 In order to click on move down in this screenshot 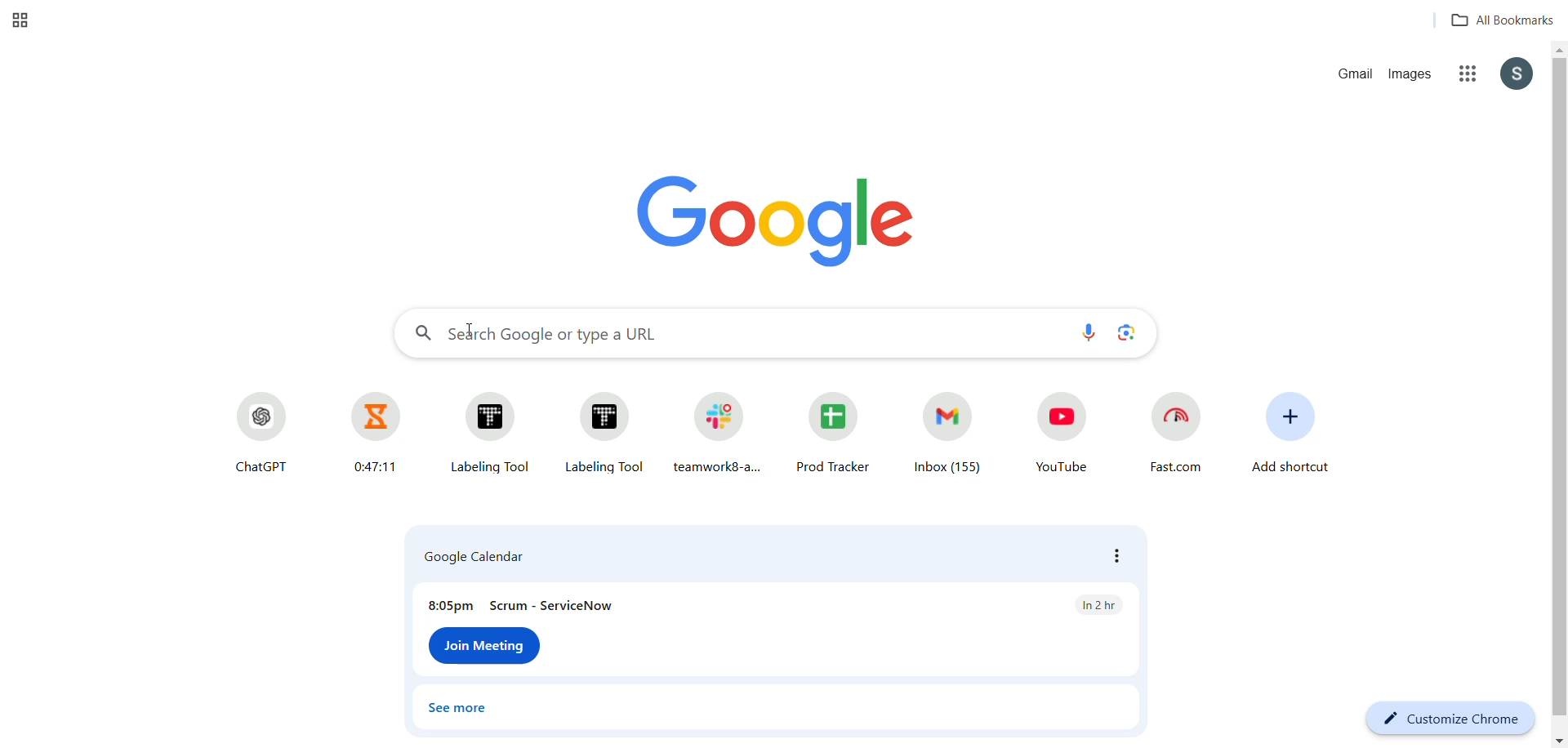, I will do `click(1557, 740)`.